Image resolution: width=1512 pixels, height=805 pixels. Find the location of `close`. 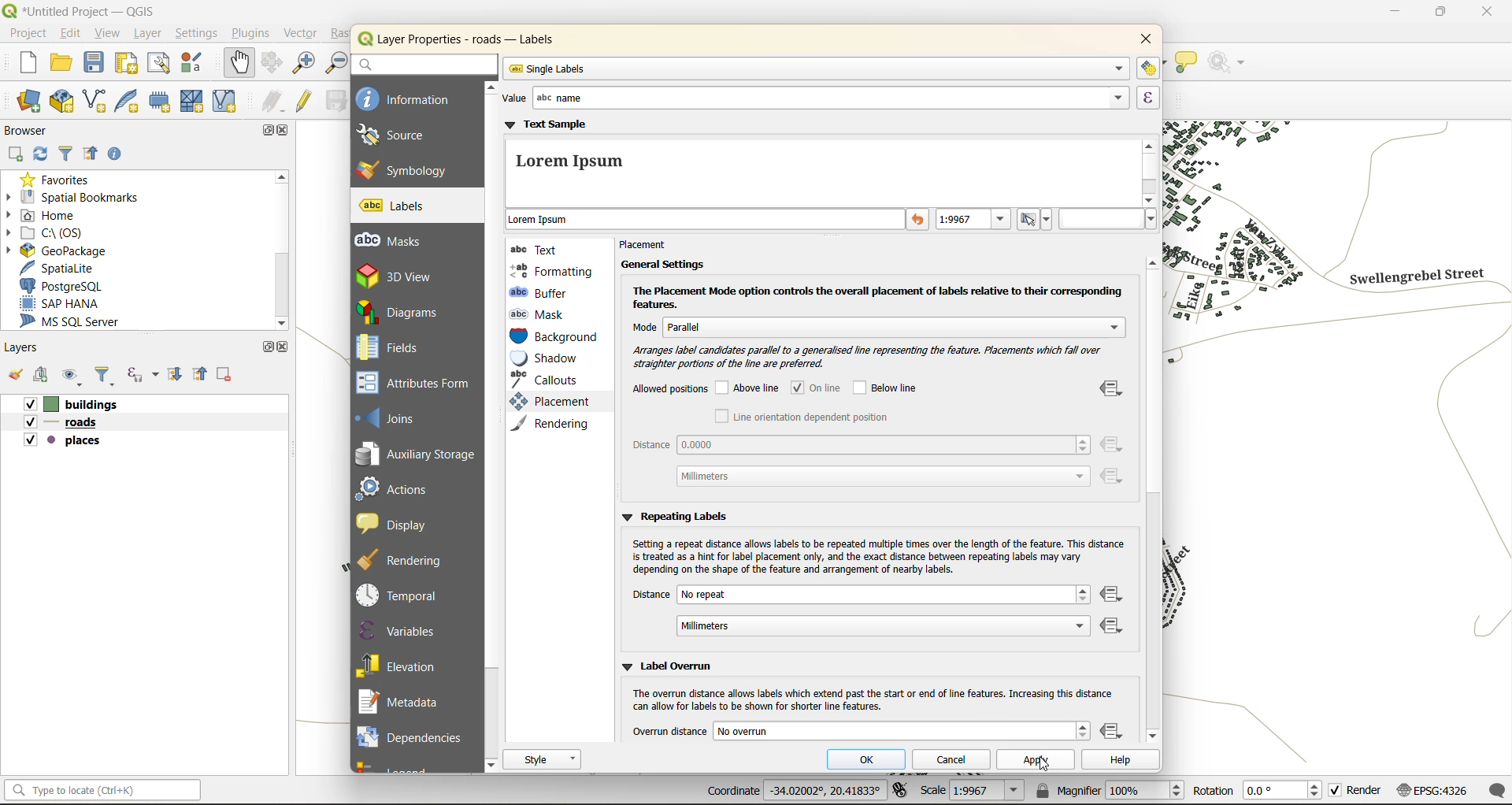

close is located at coordinates (1141, 40).